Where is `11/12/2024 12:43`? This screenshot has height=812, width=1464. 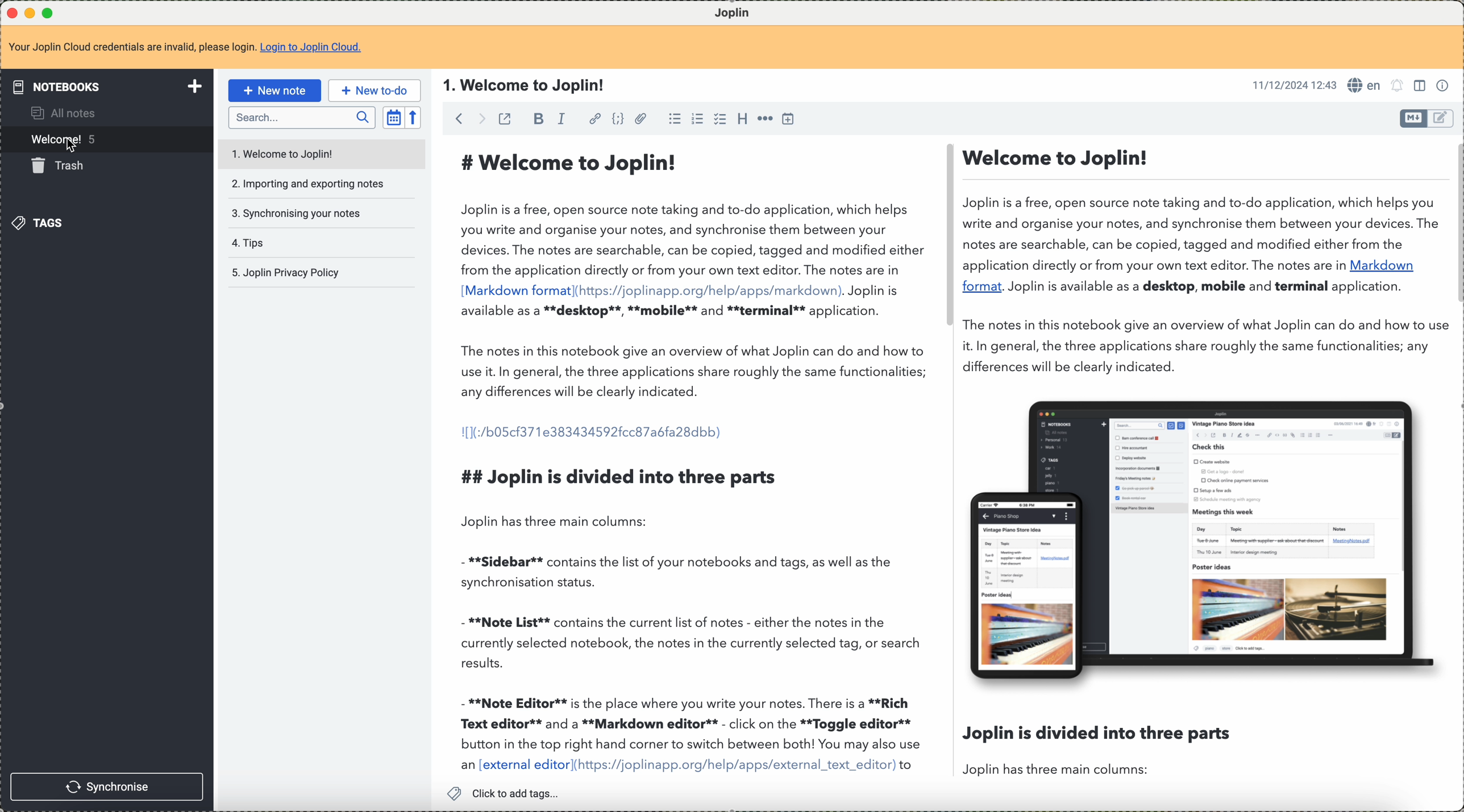 11/12/2024 12:43 is located at coordinates (1295, 85).